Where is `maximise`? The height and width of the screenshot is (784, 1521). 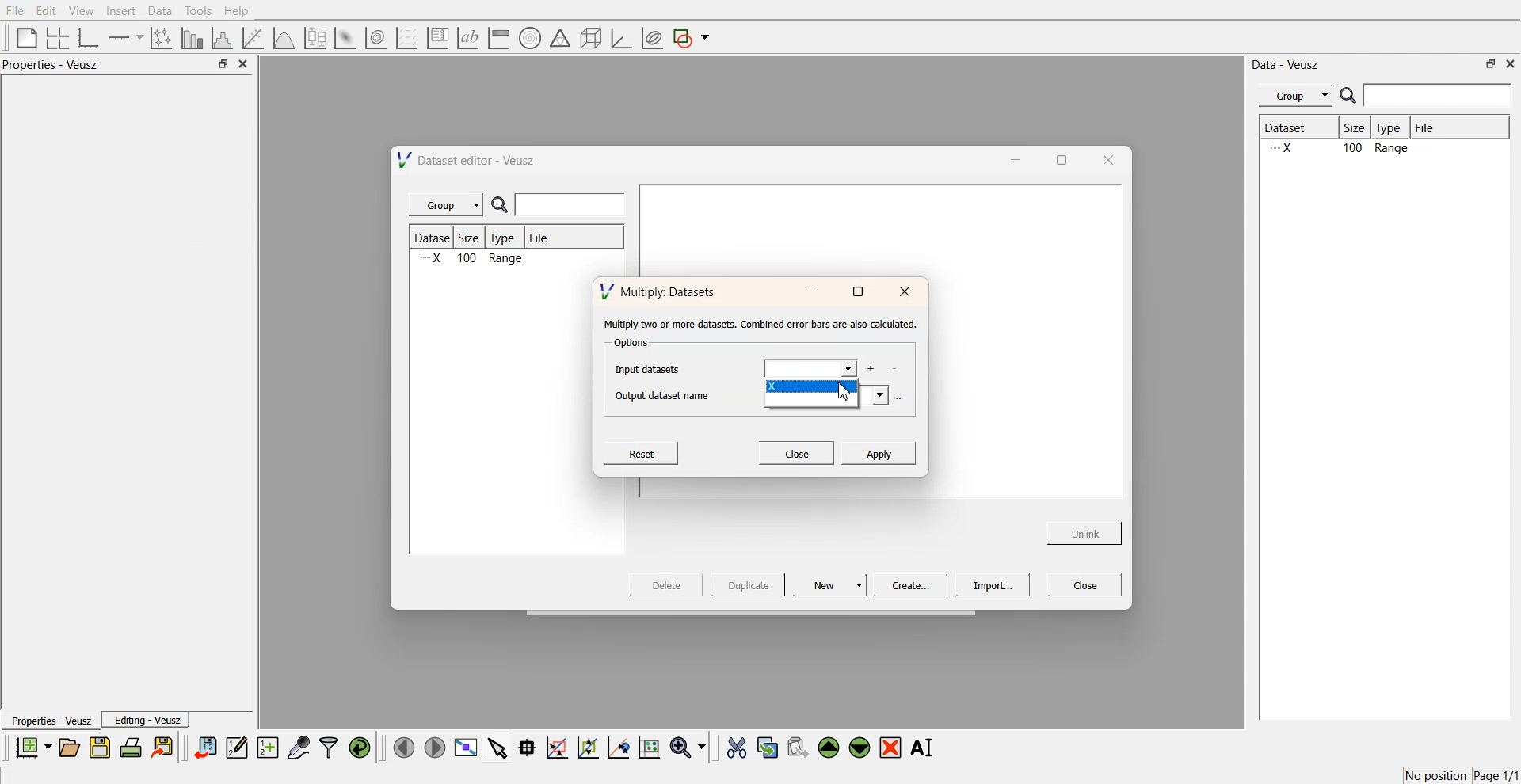 maximise is located at coordinates (857, 292).